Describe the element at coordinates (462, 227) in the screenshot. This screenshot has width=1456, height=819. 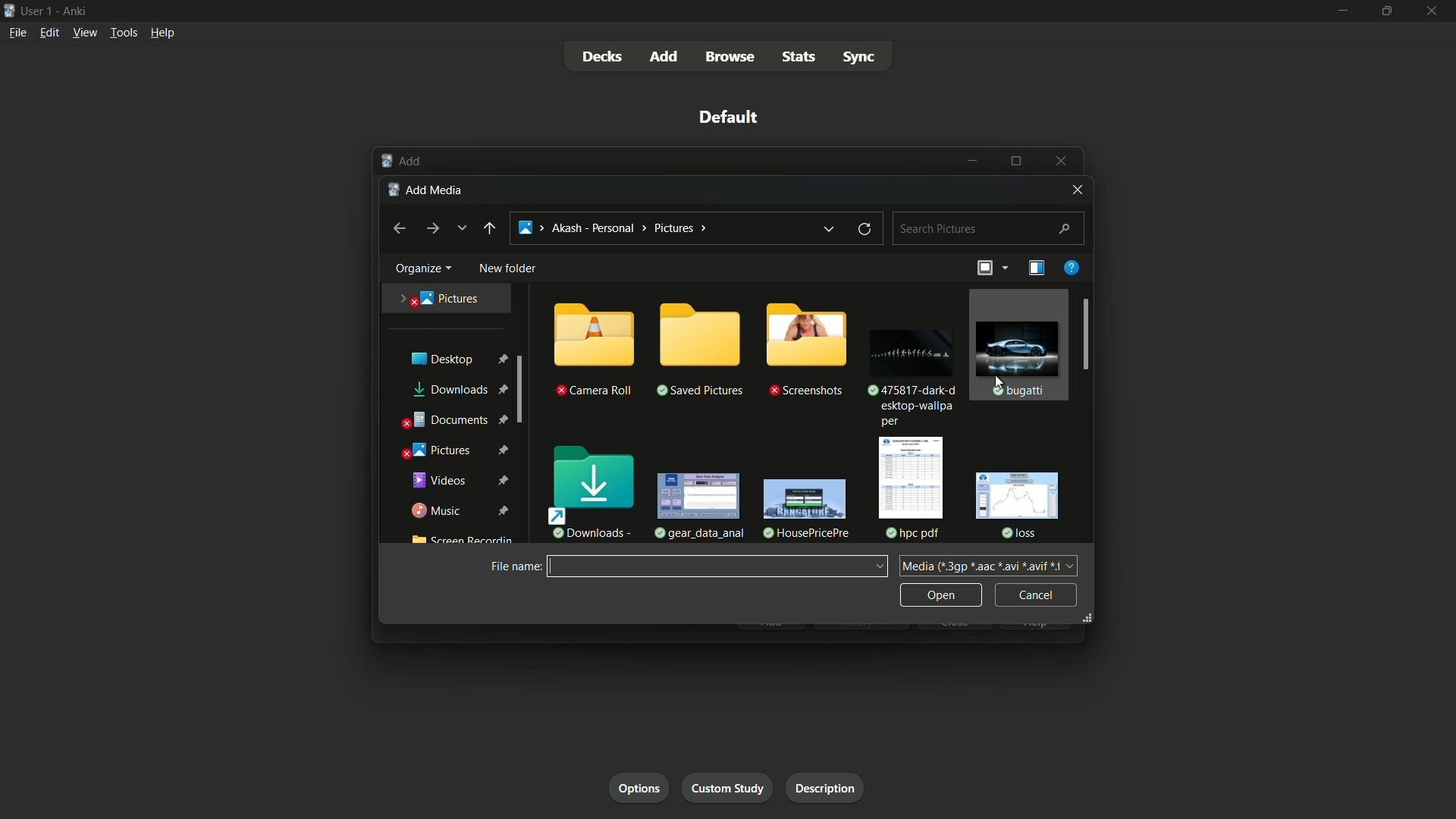
I see `recent locations` at that location.